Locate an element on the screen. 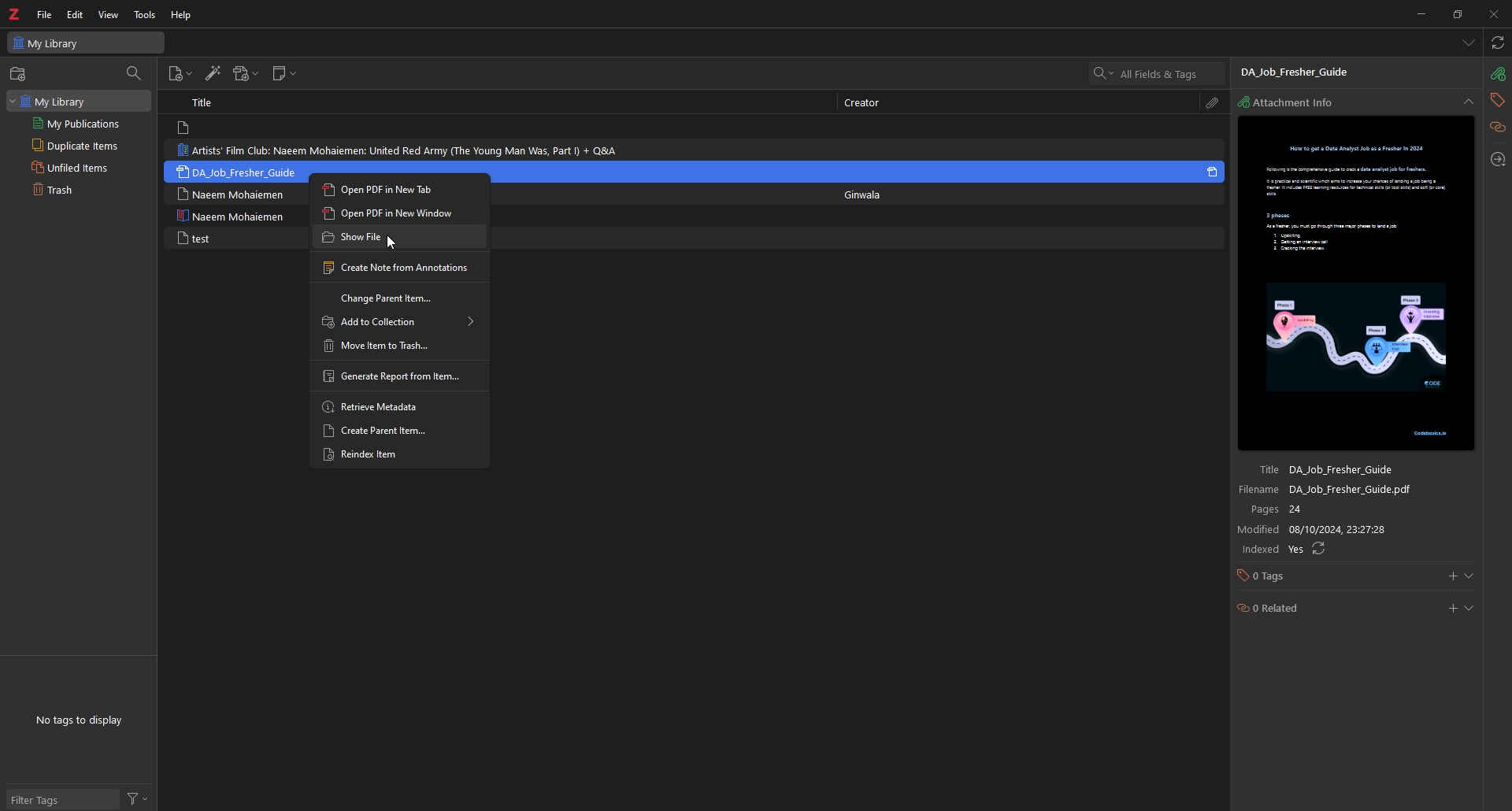  show is located at coordinates (1469, 608).